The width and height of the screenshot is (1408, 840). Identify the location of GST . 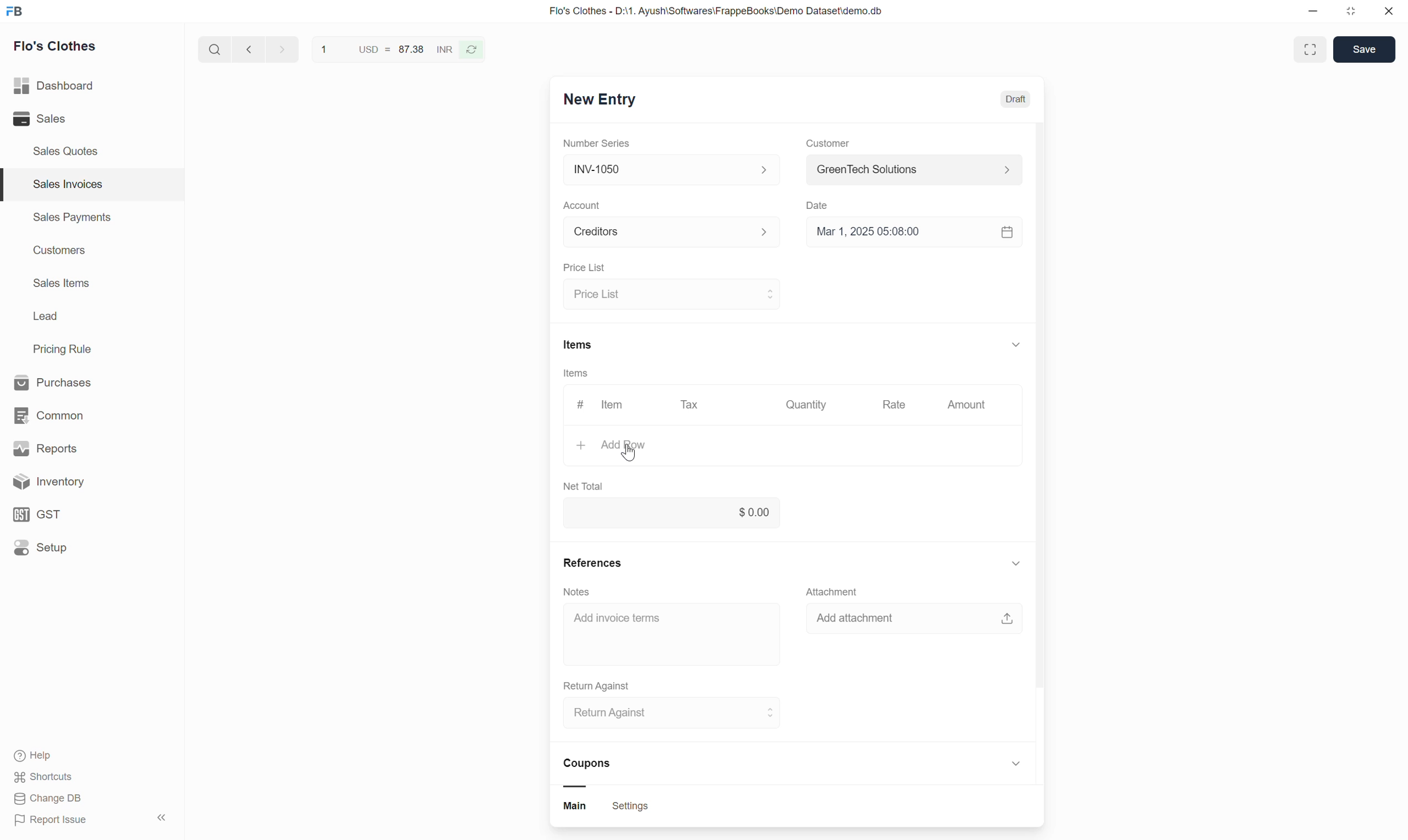
(79, 513).